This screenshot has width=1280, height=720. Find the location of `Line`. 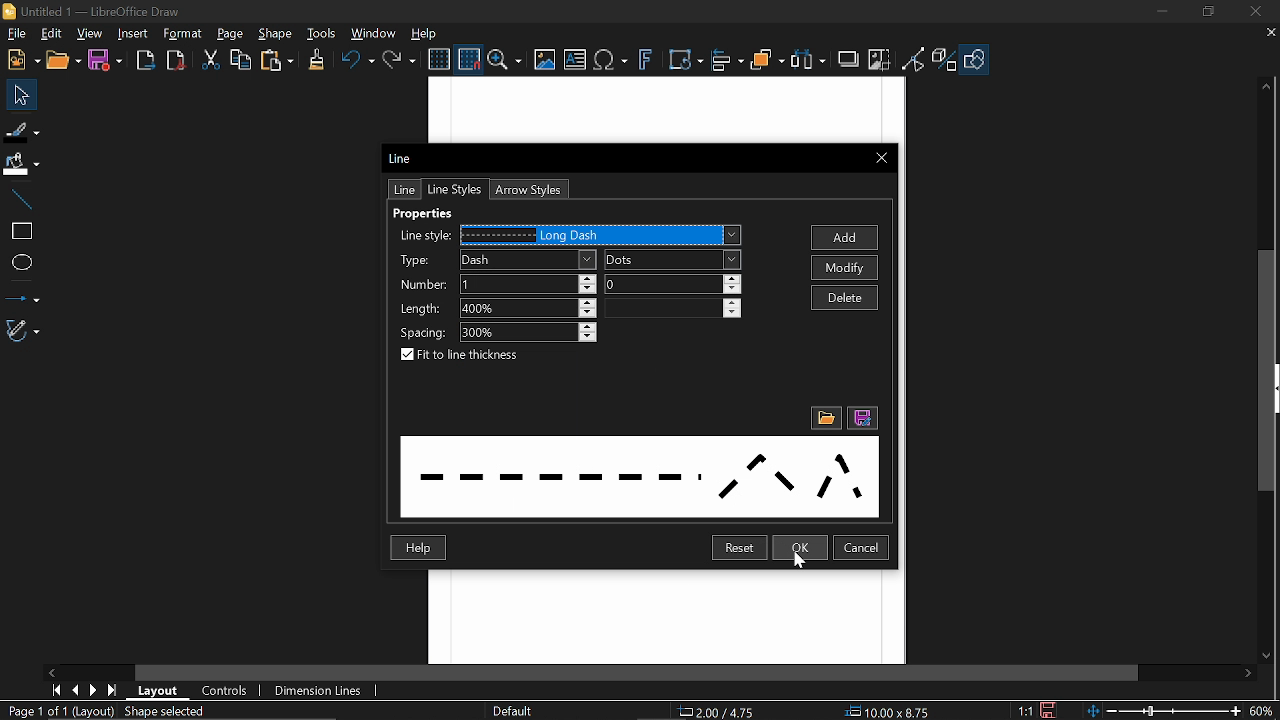

Line is located at coordinates (400, 158).